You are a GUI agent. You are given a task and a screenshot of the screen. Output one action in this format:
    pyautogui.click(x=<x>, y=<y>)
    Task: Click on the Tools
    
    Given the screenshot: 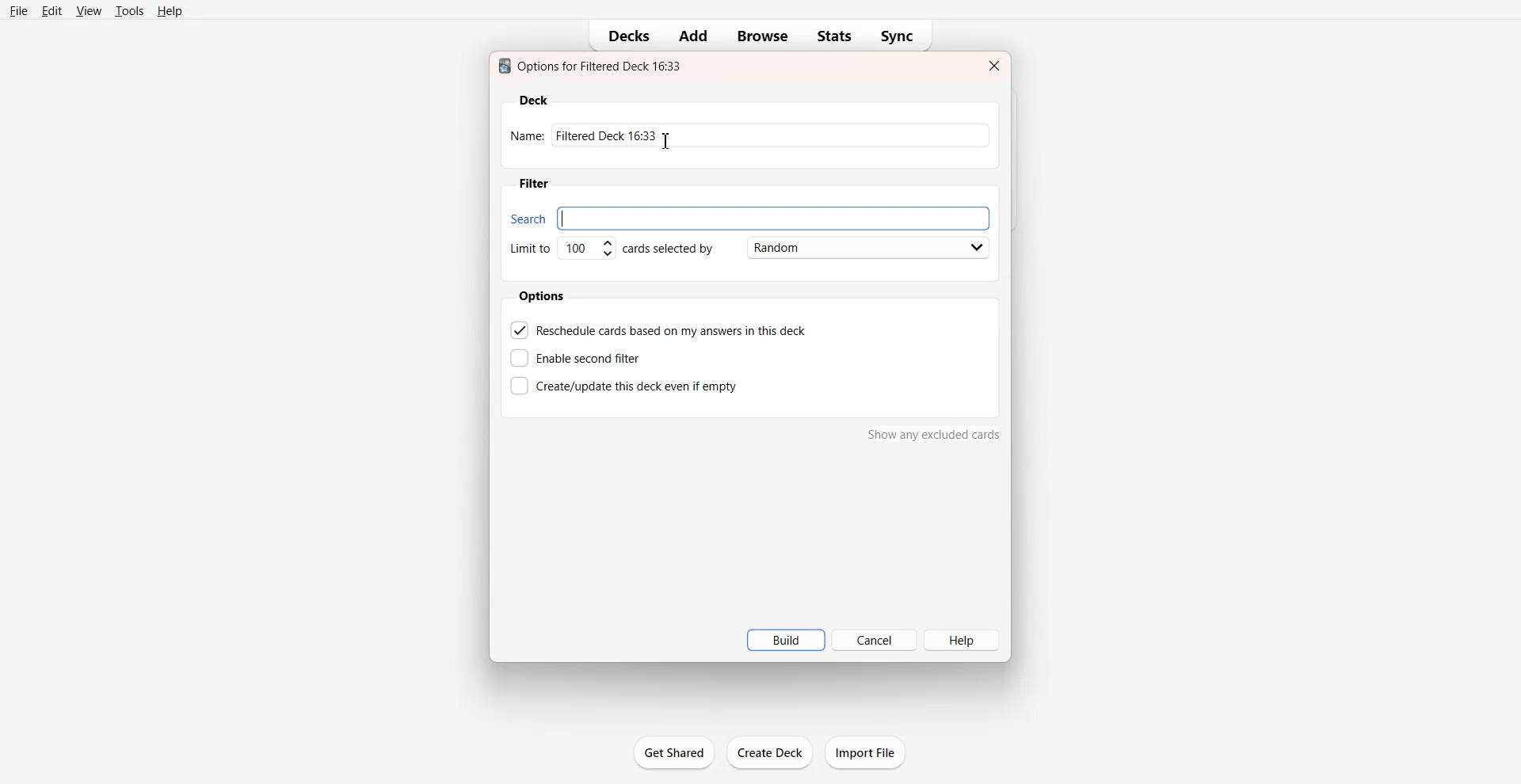 What is the action you would take?
    pyautogui.click(x=129, y=10)
    